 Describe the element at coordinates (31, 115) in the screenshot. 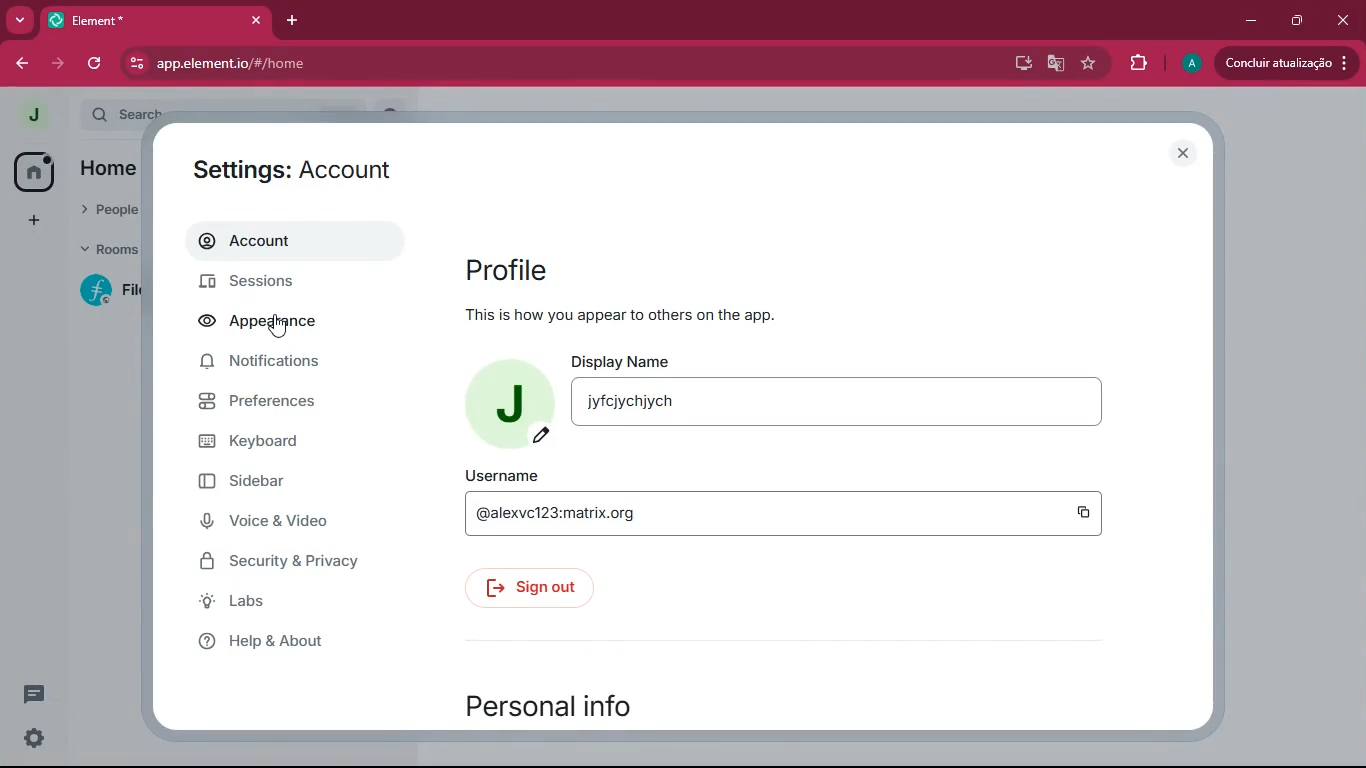

I see `profile picture` at that location.